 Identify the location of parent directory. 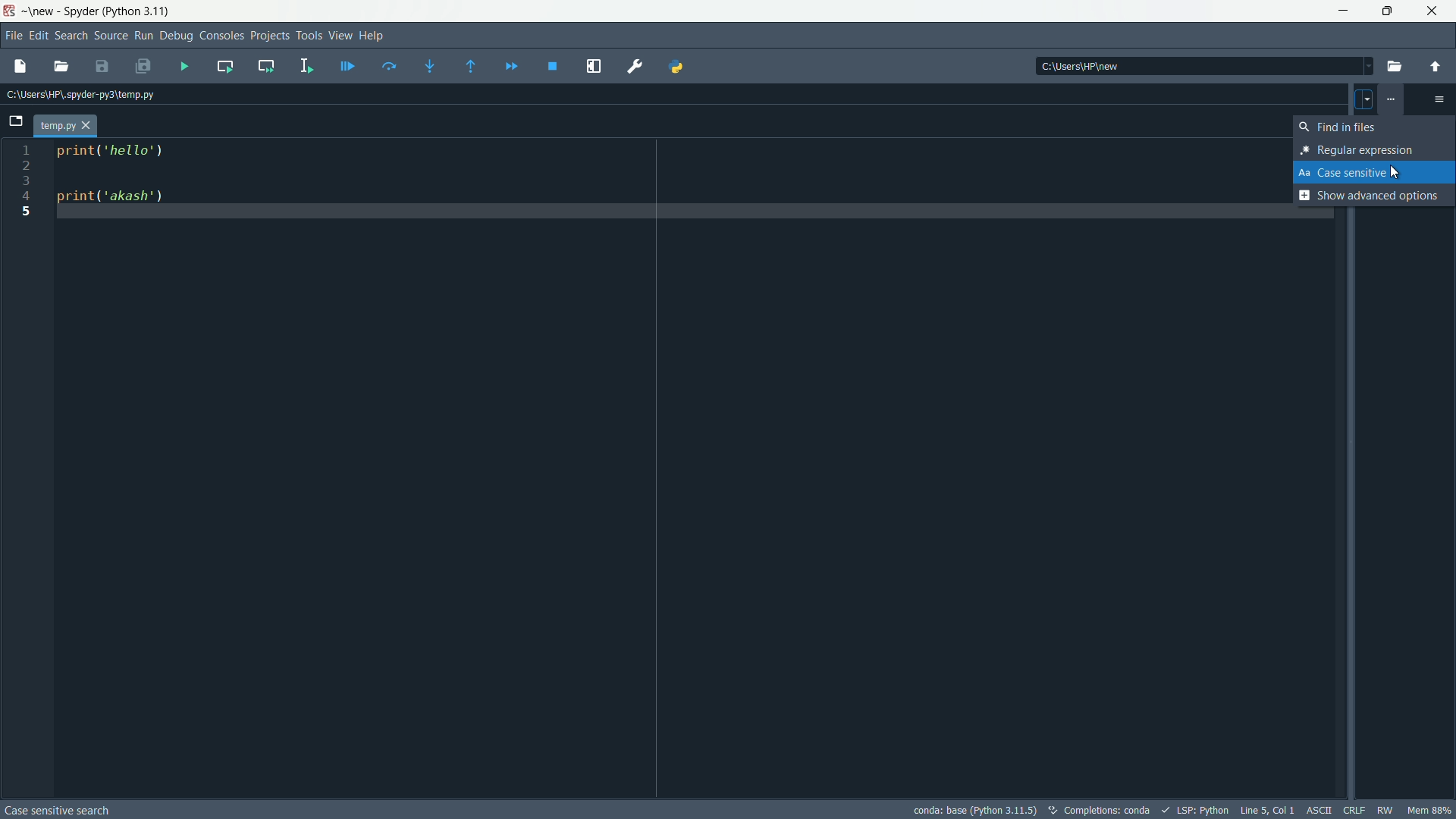
(1436, 67).